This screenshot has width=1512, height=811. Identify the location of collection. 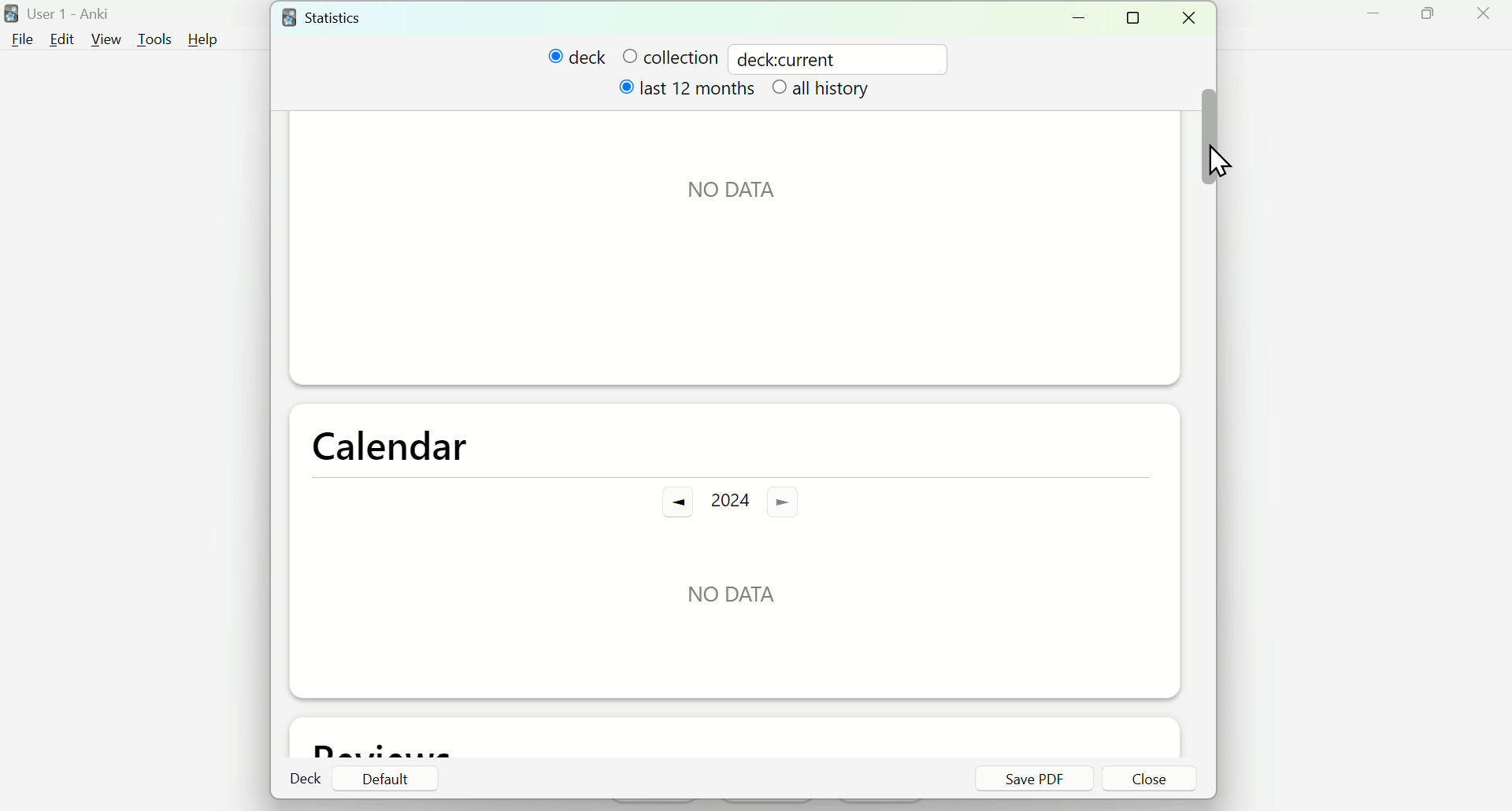
(669, 57).